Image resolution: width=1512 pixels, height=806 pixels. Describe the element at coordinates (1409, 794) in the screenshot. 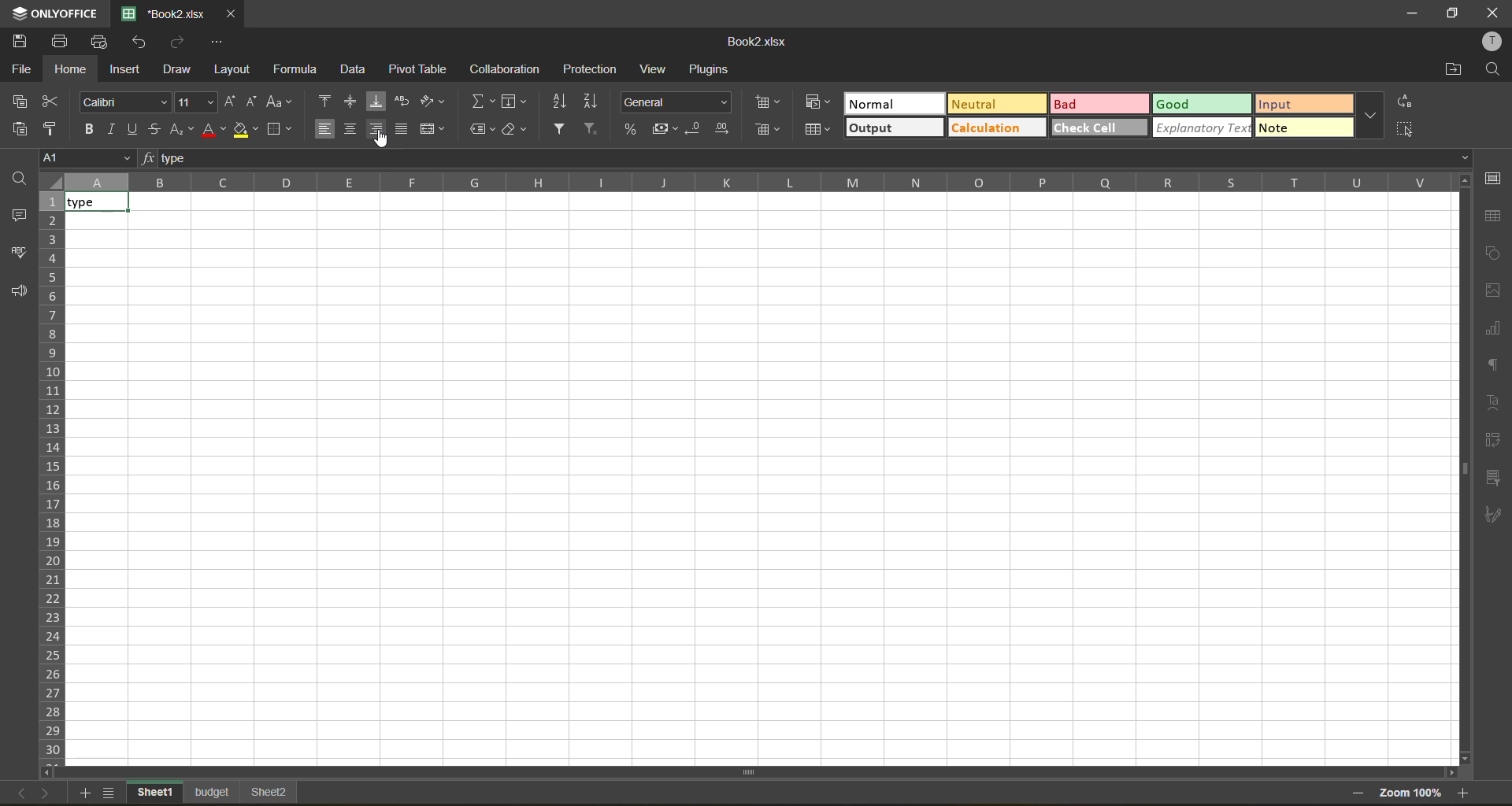

I see `zoom factor` at that location.